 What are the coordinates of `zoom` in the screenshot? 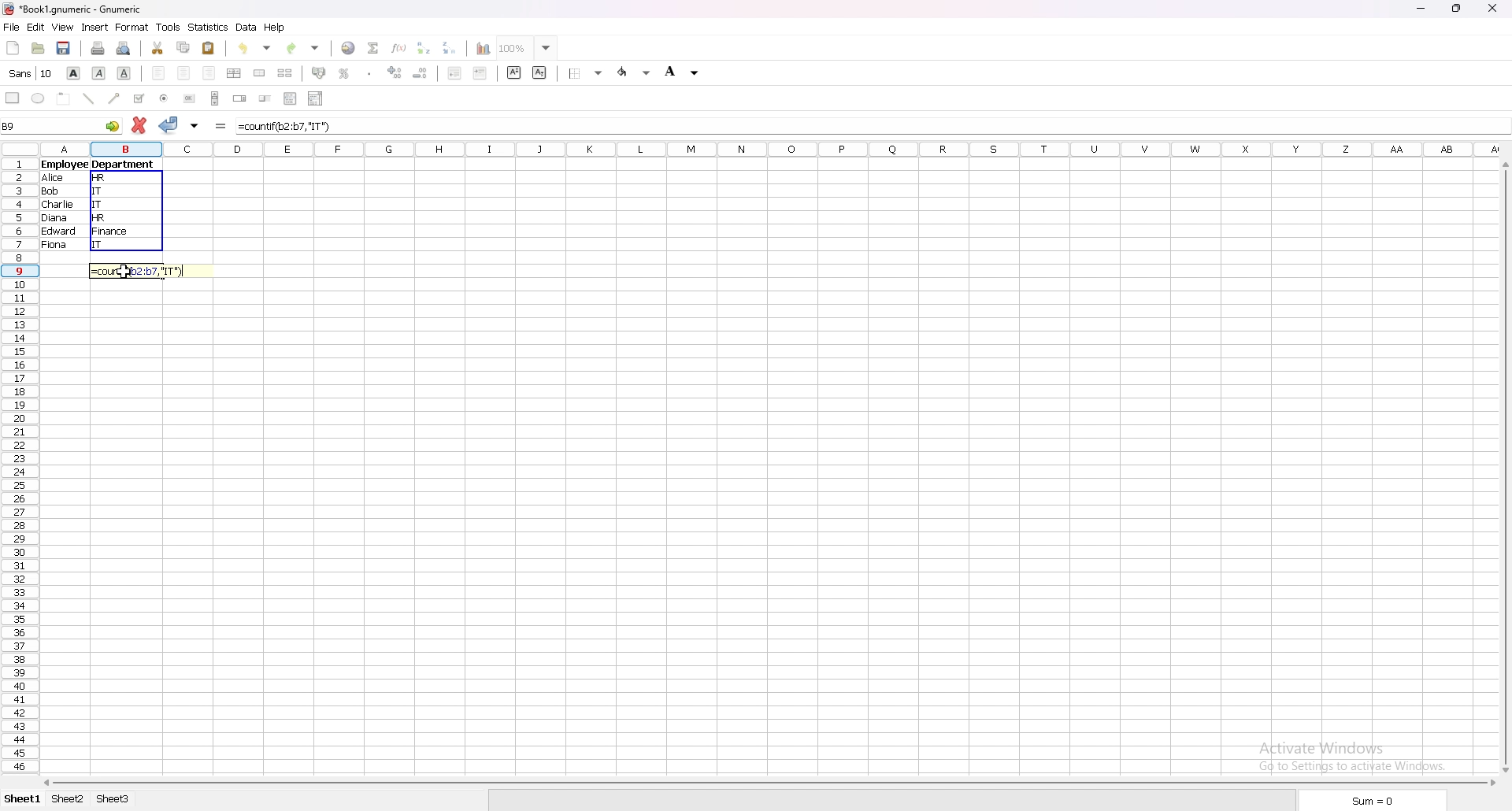 It's located at (528, 49).